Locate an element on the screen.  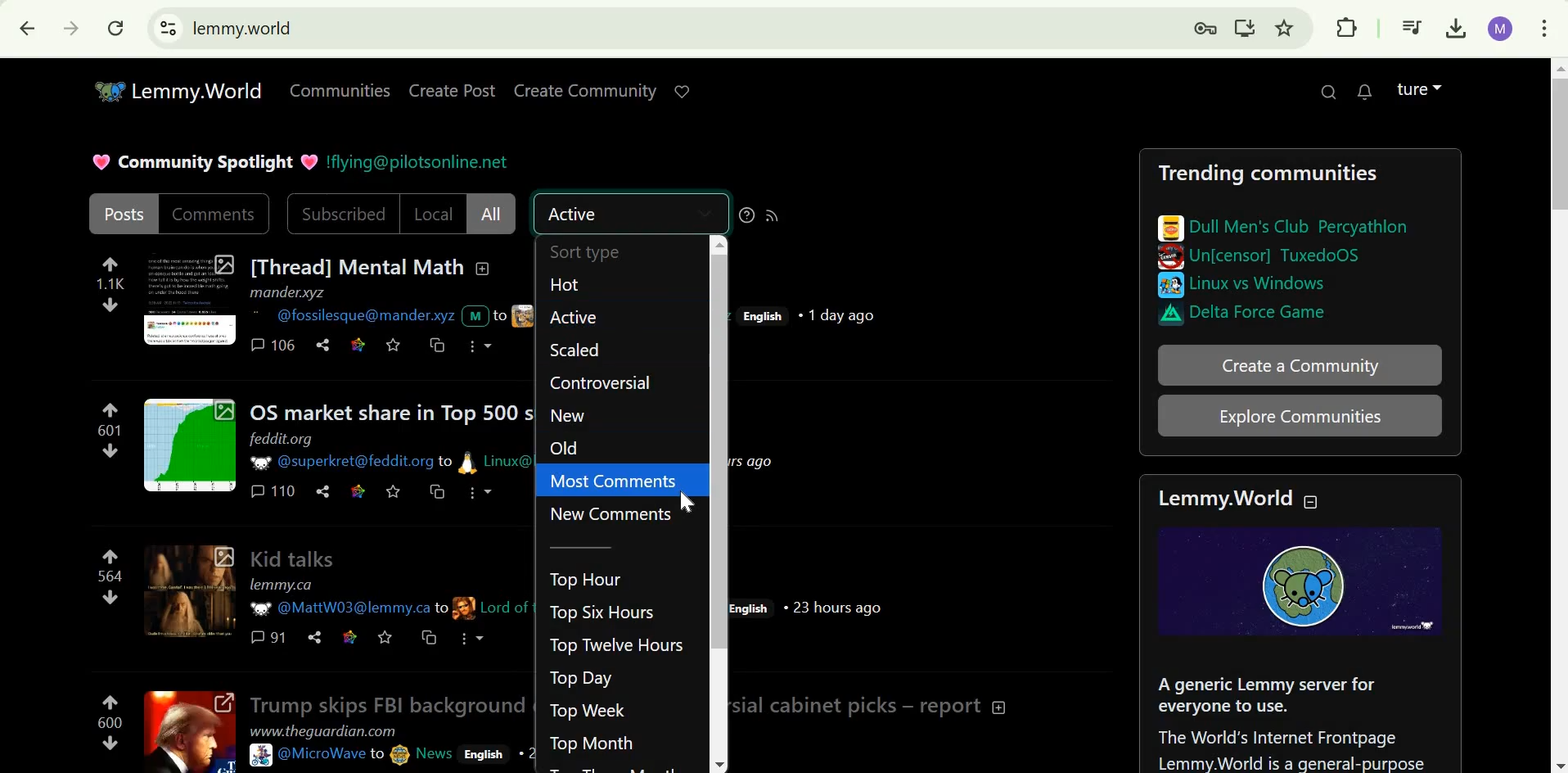
Reload this page is located at coordinates (115, 27).